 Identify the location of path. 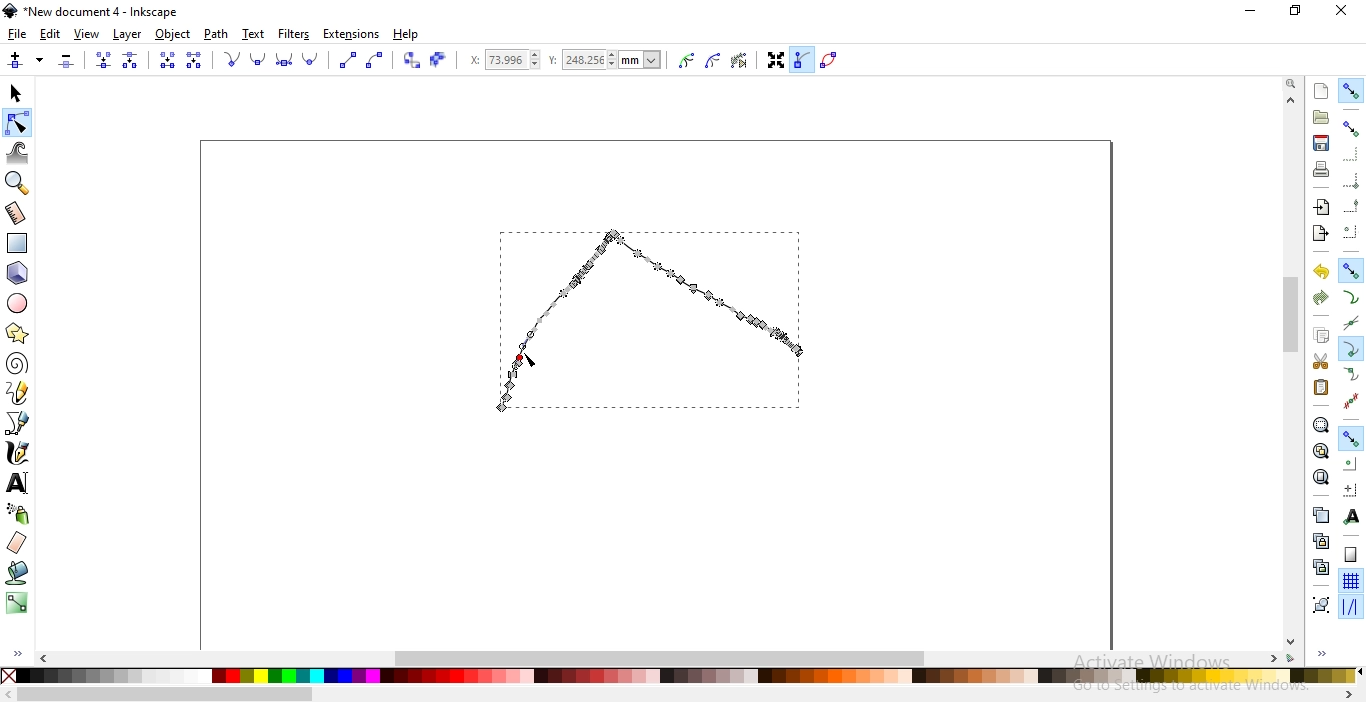
(214, 34).